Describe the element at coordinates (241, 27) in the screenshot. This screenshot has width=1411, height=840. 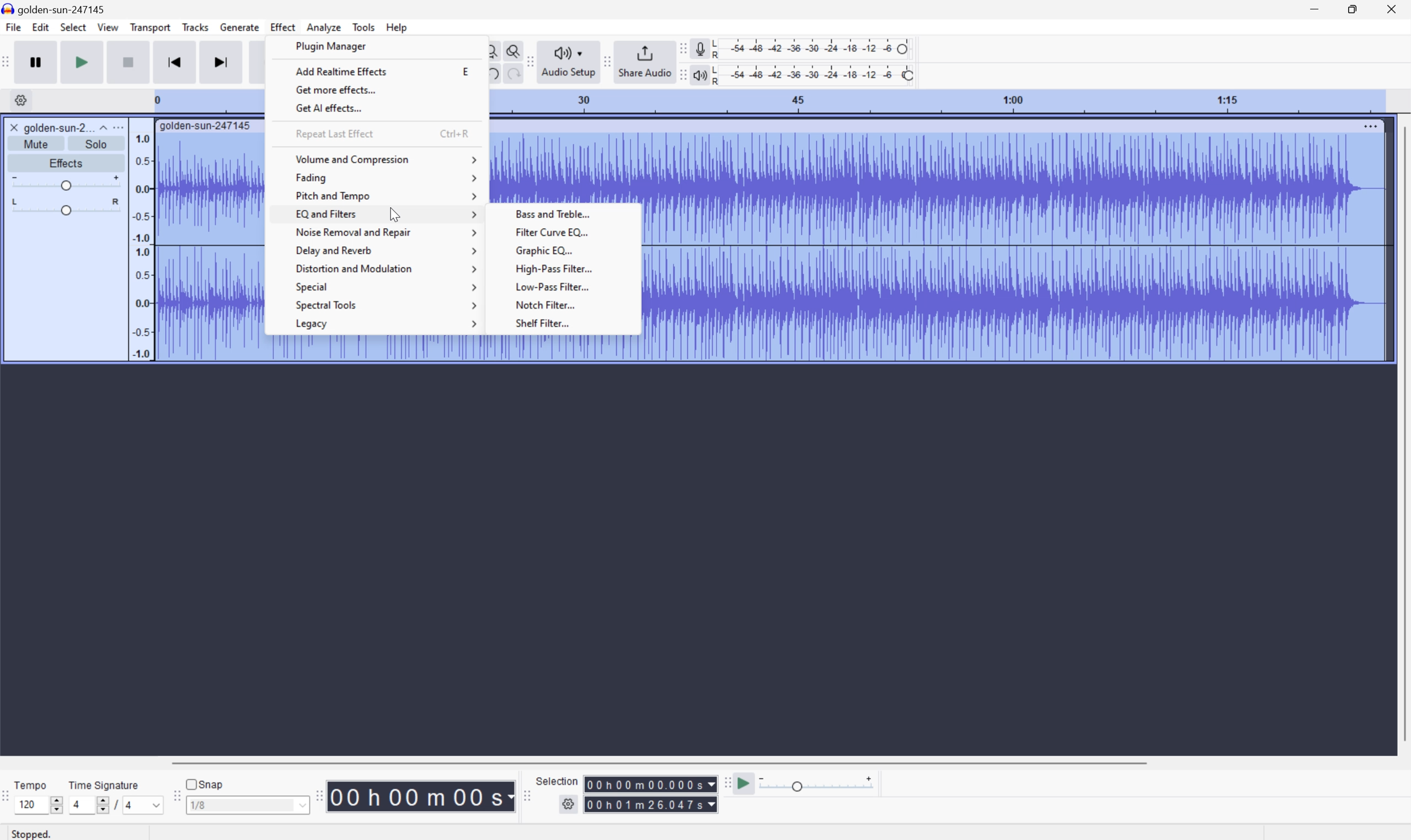
I see `Generate` at that location.